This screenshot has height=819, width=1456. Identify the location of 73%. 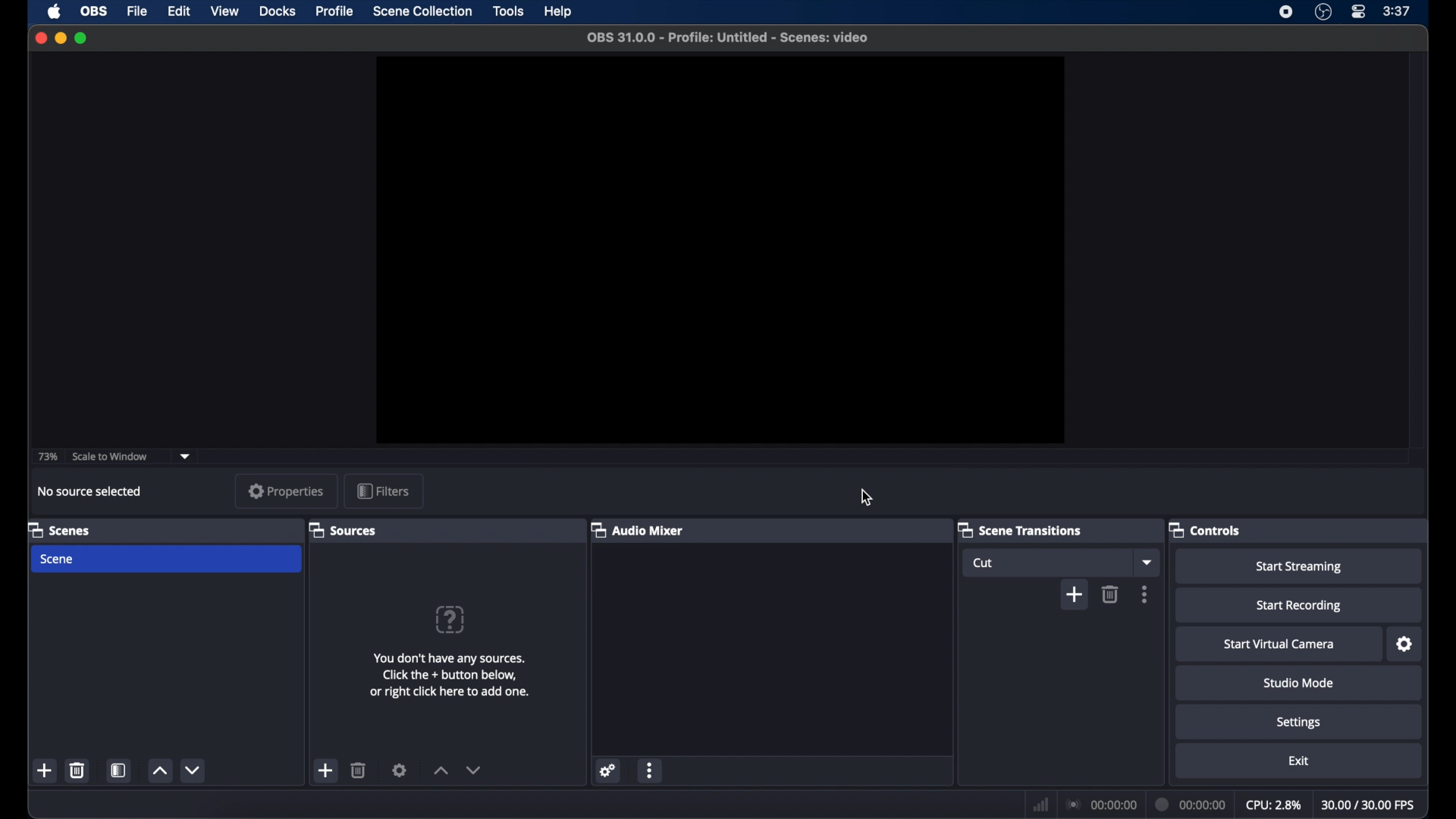
(46, 457).